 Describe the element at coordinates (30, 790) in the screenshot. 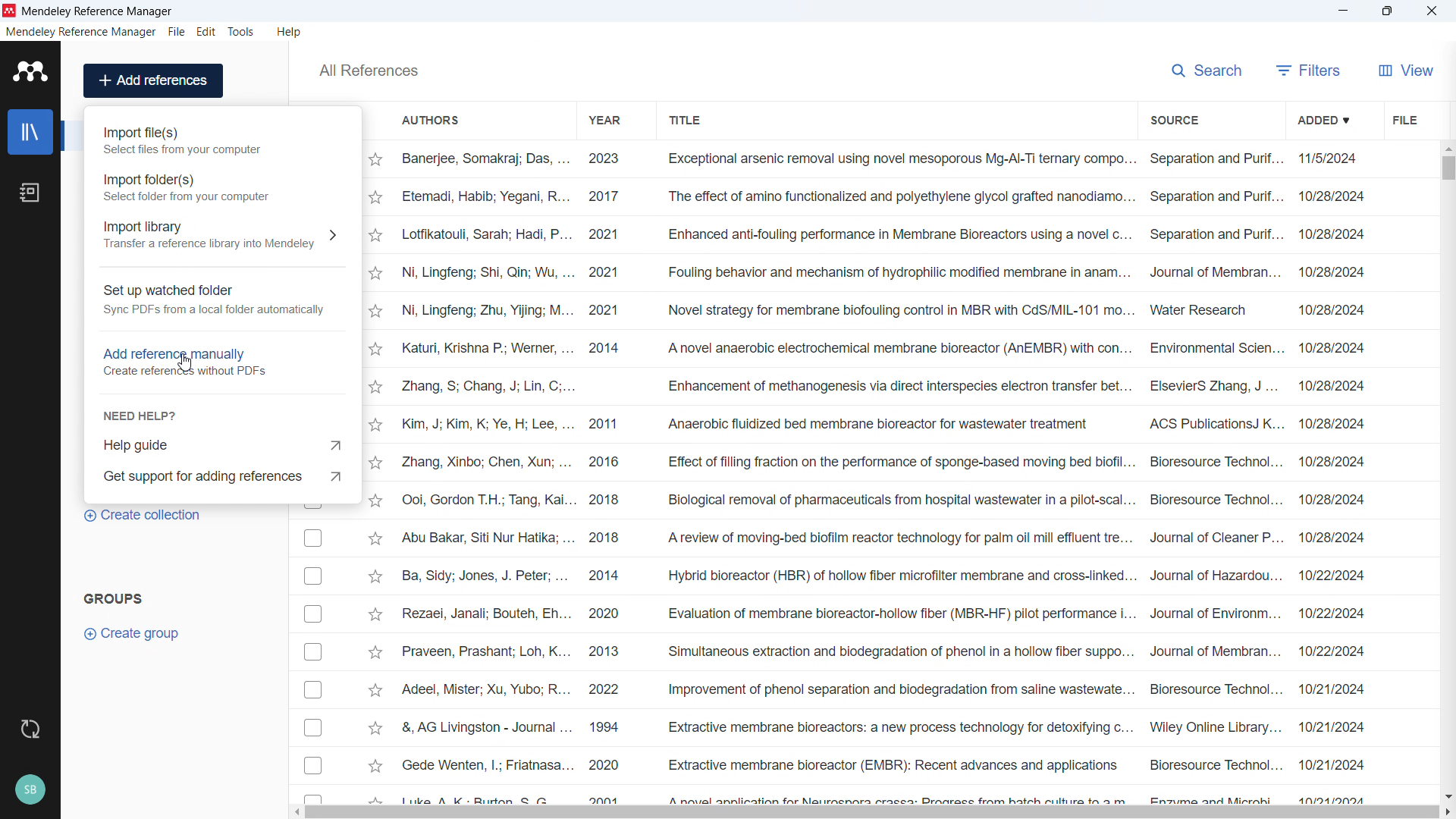

I see `Profile ` at that location.